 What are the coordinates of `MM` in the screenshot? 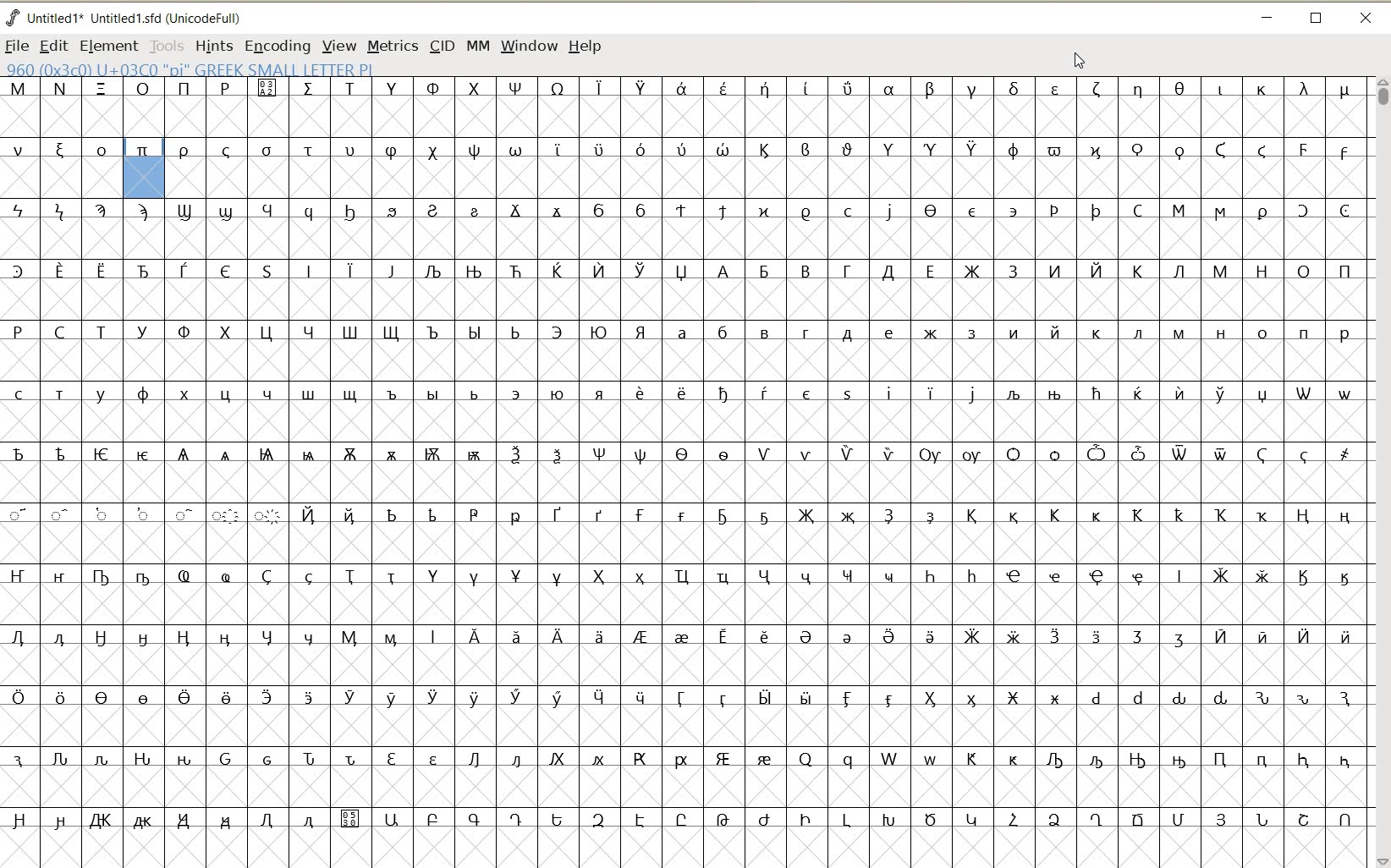 It's located at (477, 45).